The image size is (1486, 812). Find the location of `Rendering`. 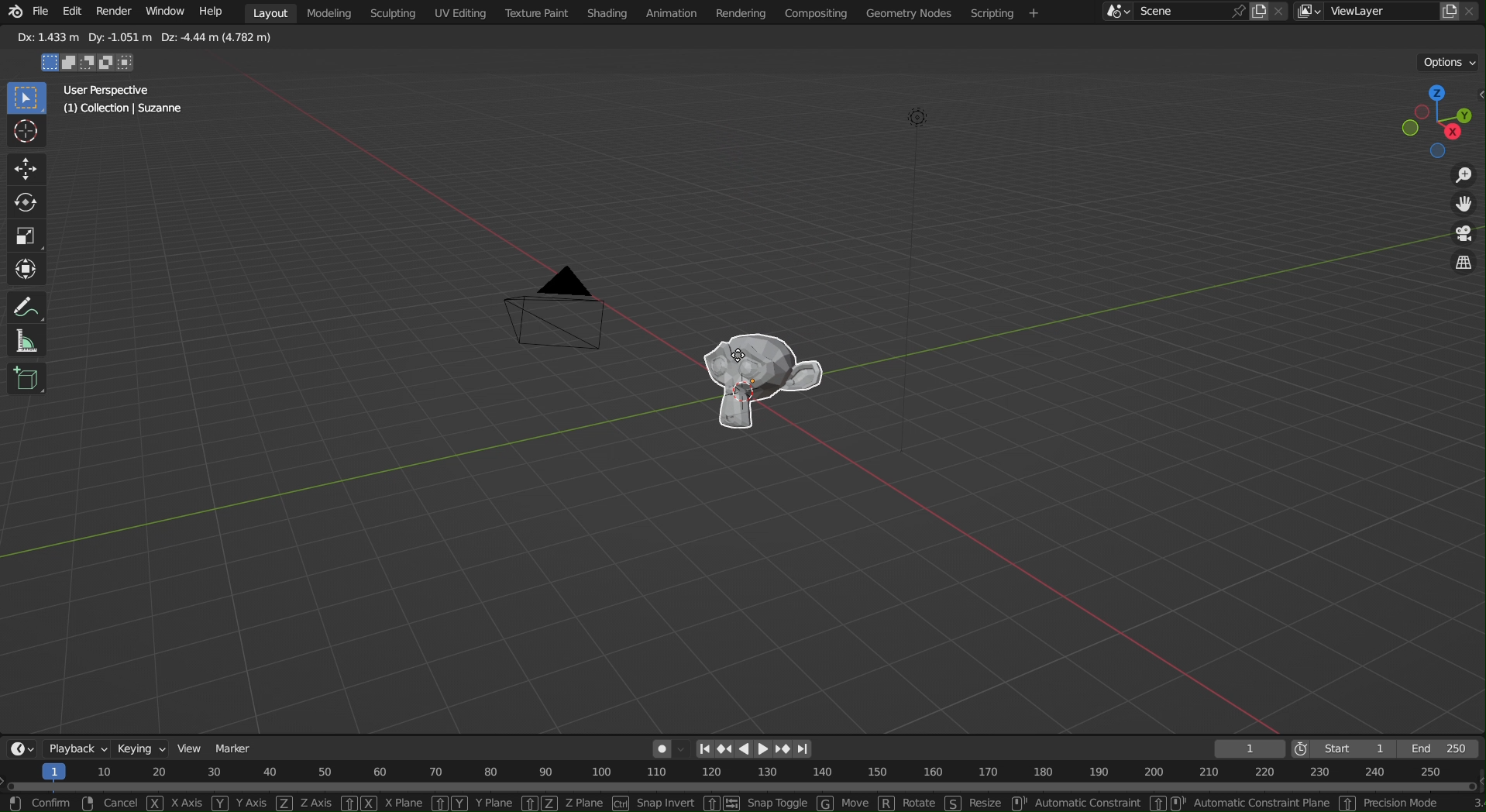

Rendering is located at coordinates (740, 12).